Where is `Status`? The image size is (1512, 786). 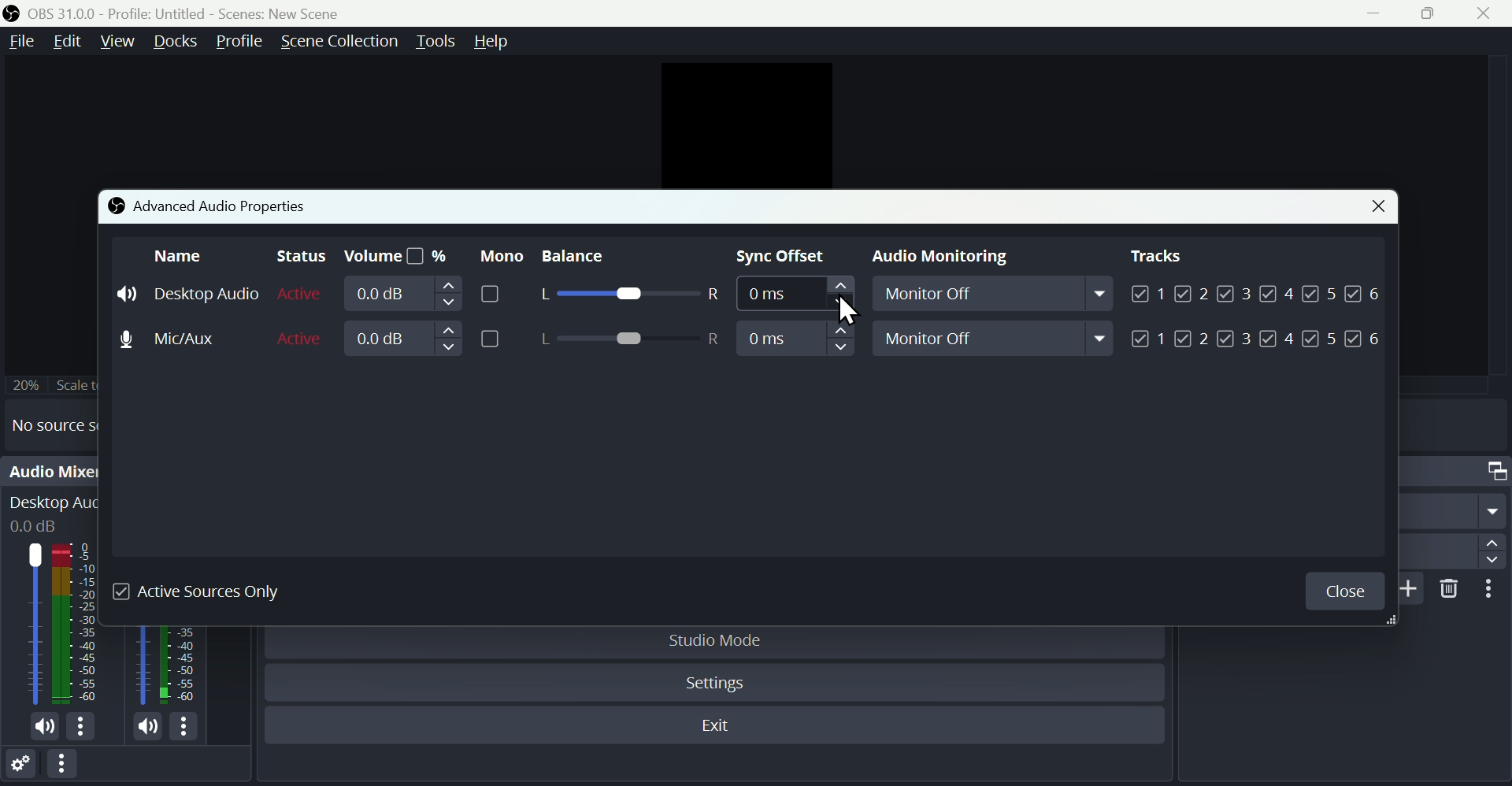
Status is located at coordinates (297, 257).